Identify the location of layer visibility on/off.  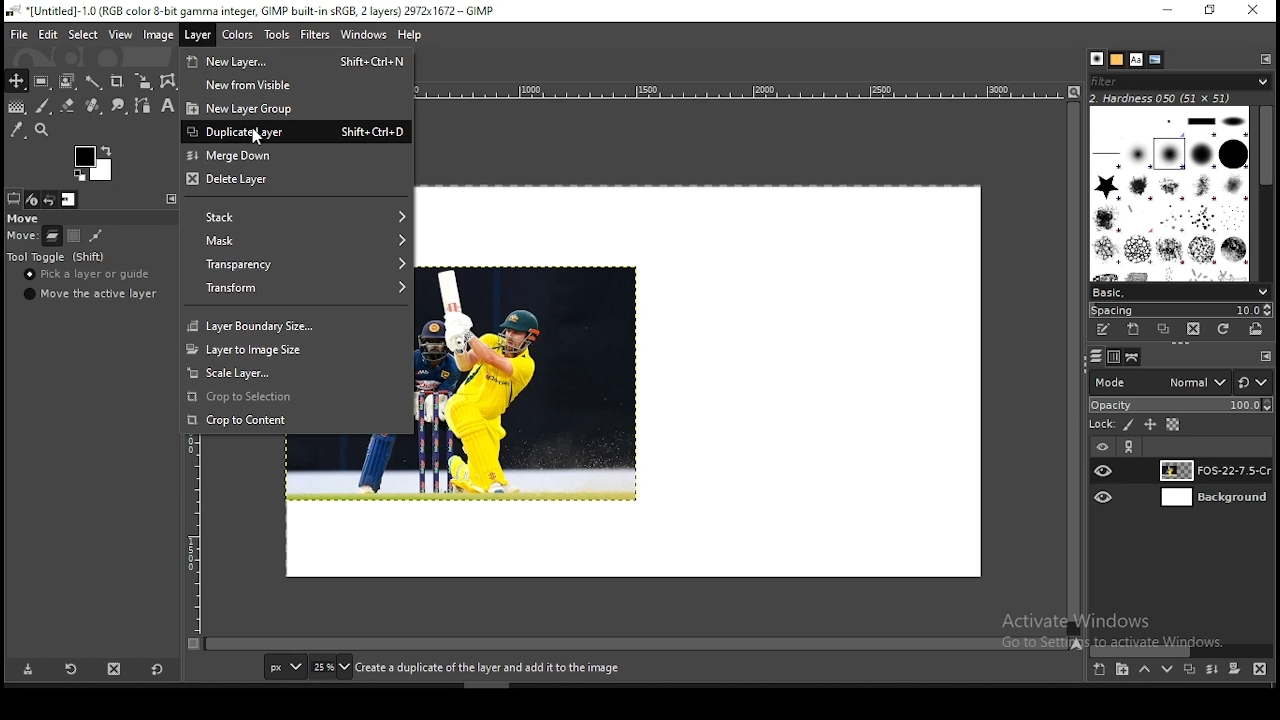
(1105, 497).